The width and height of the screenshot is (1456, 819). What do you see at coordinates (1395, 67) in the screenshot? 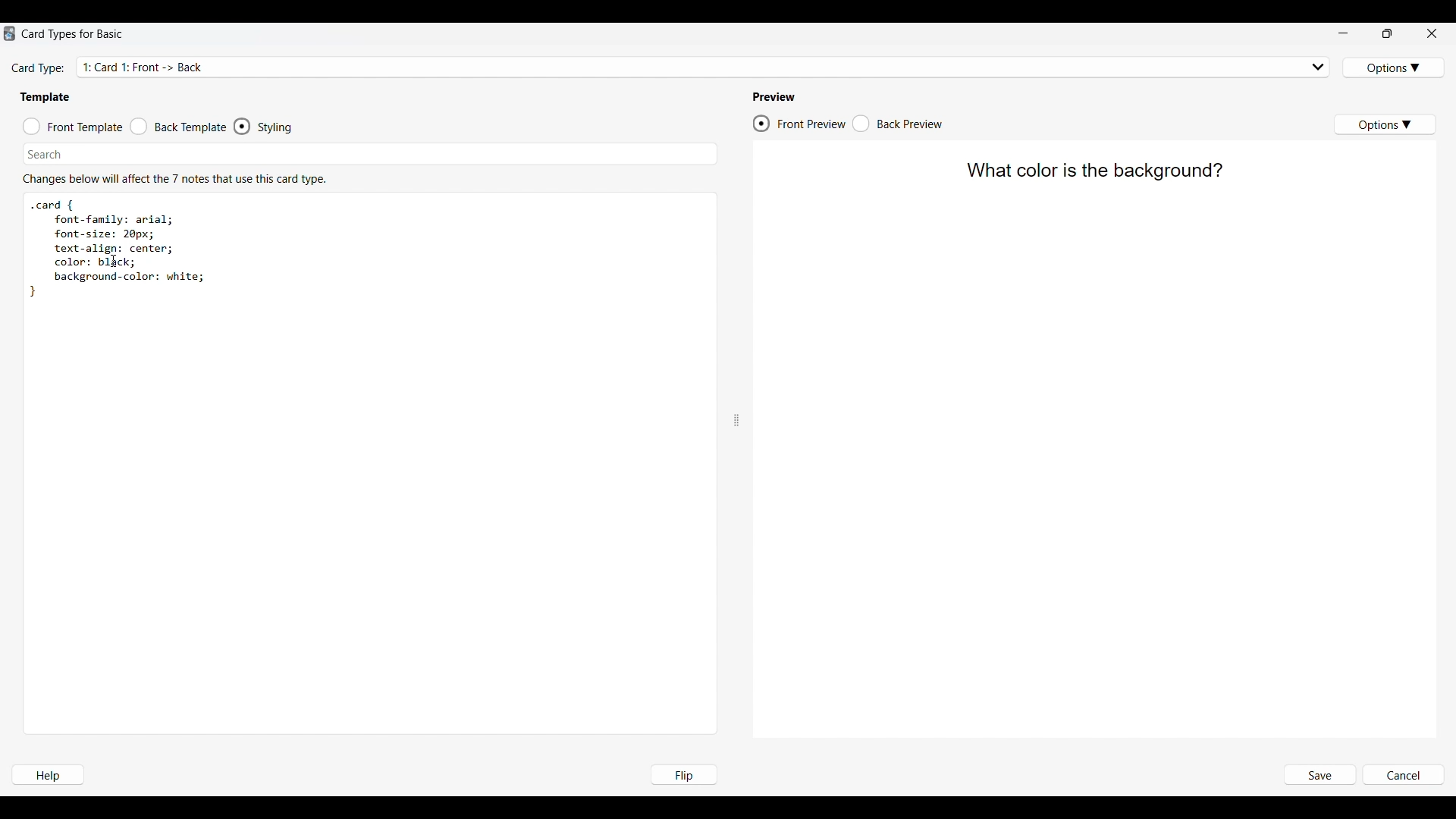
I see `Card type options` at bounding box center [1395, 67].